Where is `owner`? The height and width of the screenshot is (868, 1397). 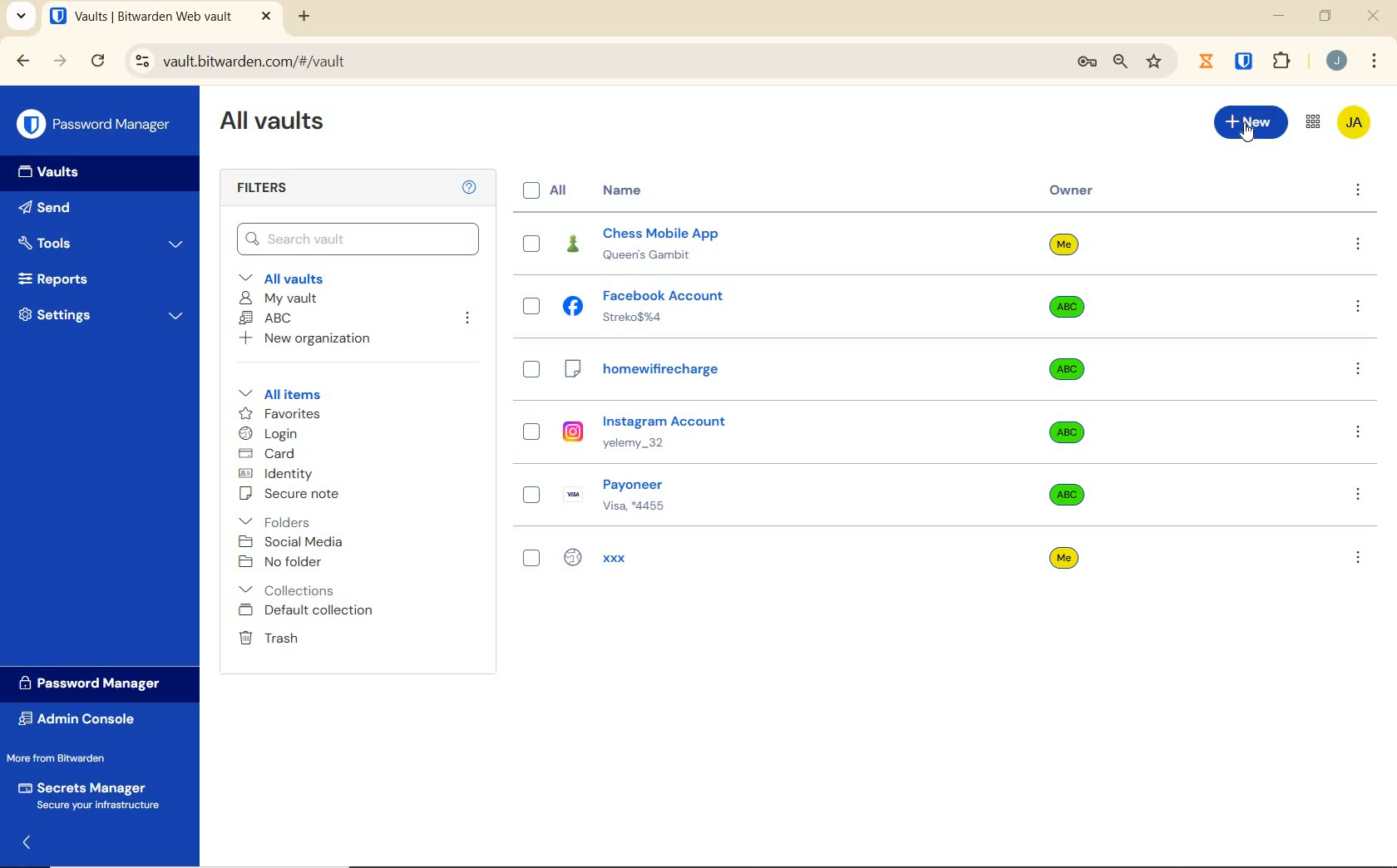
owner is located at coordinates (1072, 192).